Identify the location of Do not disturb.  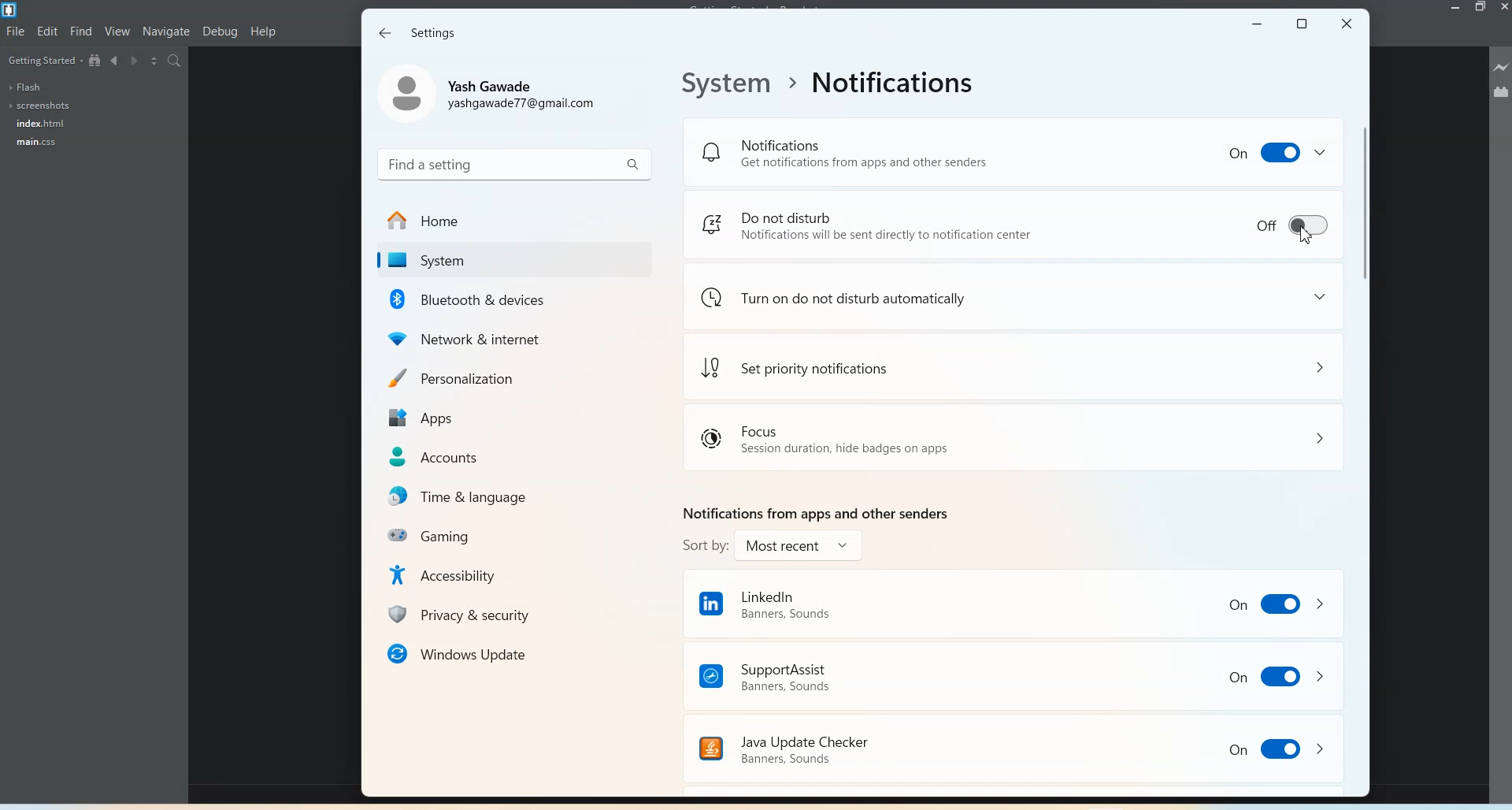
(1014, 225).